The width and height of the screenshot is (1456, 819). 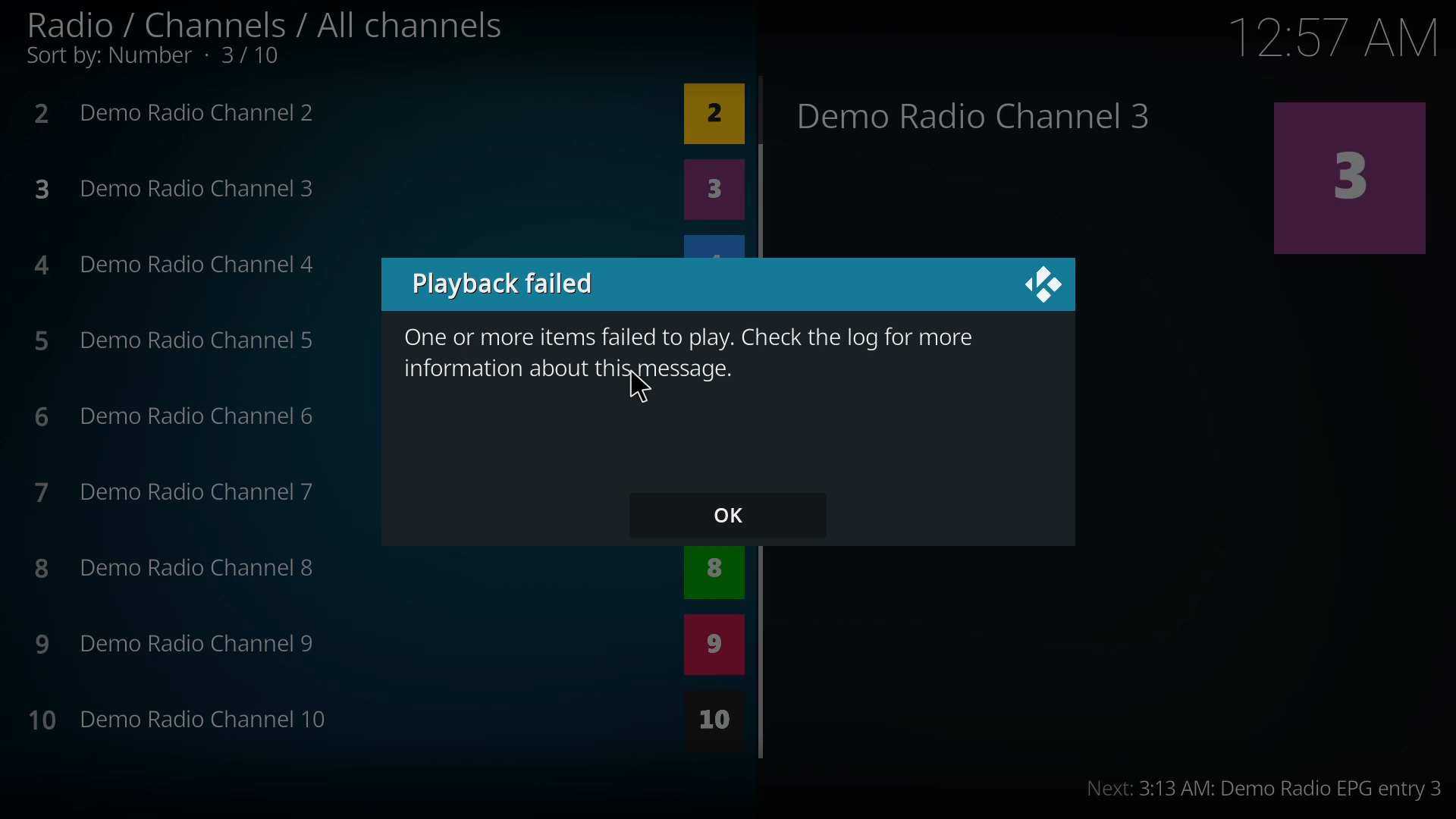 I want to click on 6 Demo Radio Channel 6, so click(x=183, y=420).